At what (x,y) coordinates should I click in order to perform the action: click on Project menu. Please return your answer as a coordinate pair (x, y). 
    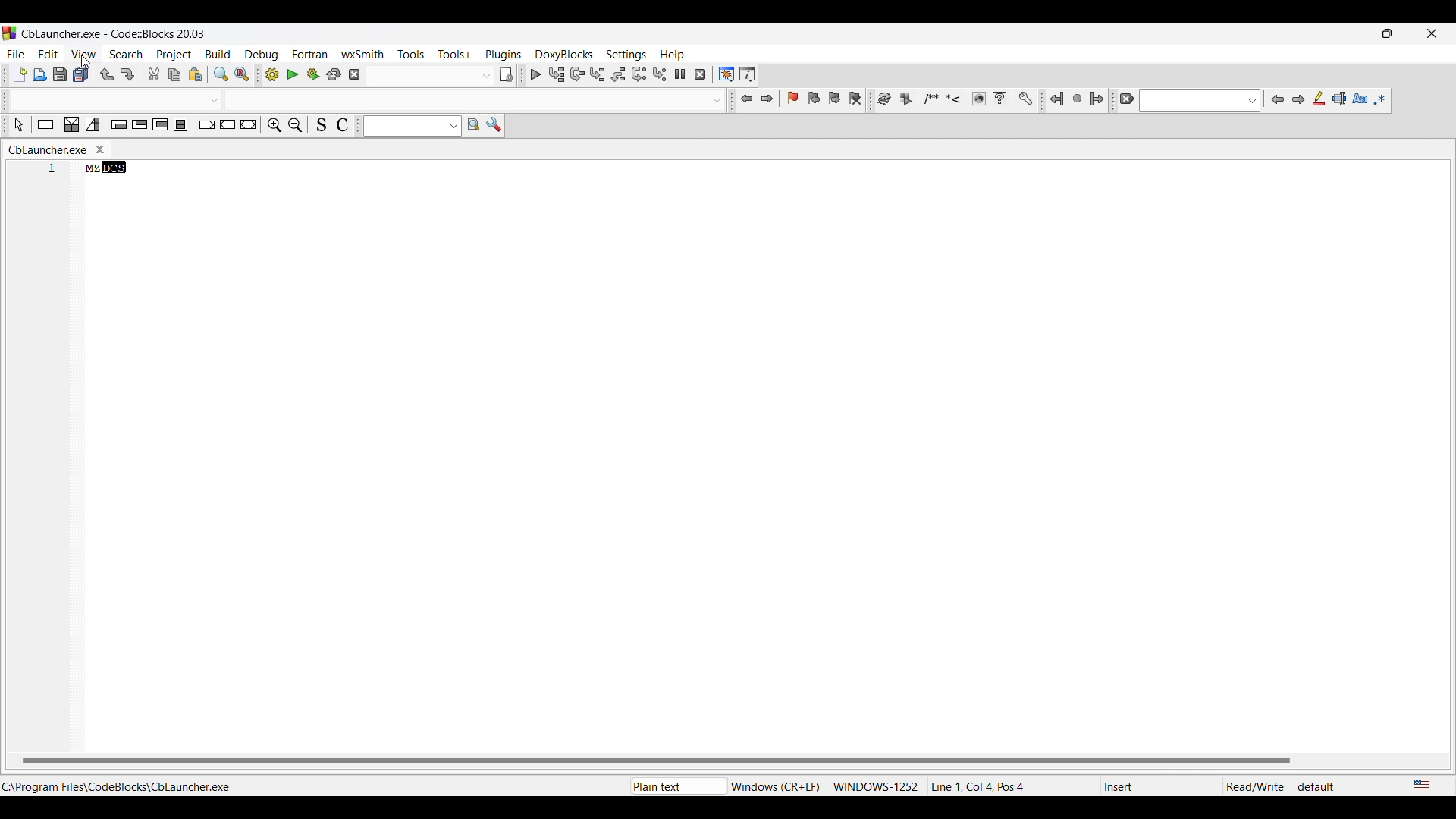
    Looking at the image, I should click on (174, 55).